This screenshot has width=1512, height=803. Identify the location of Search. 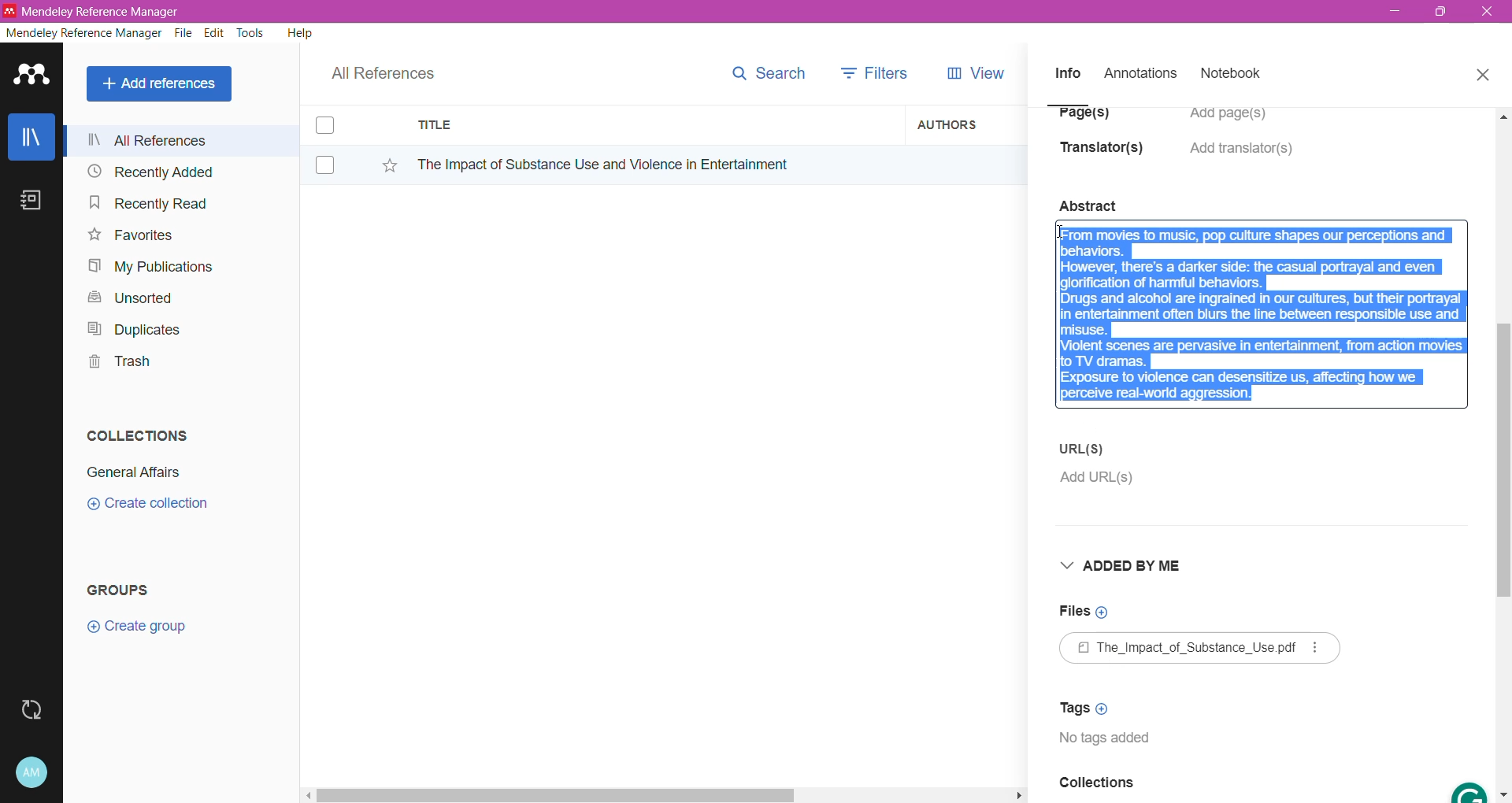
(768, 70).